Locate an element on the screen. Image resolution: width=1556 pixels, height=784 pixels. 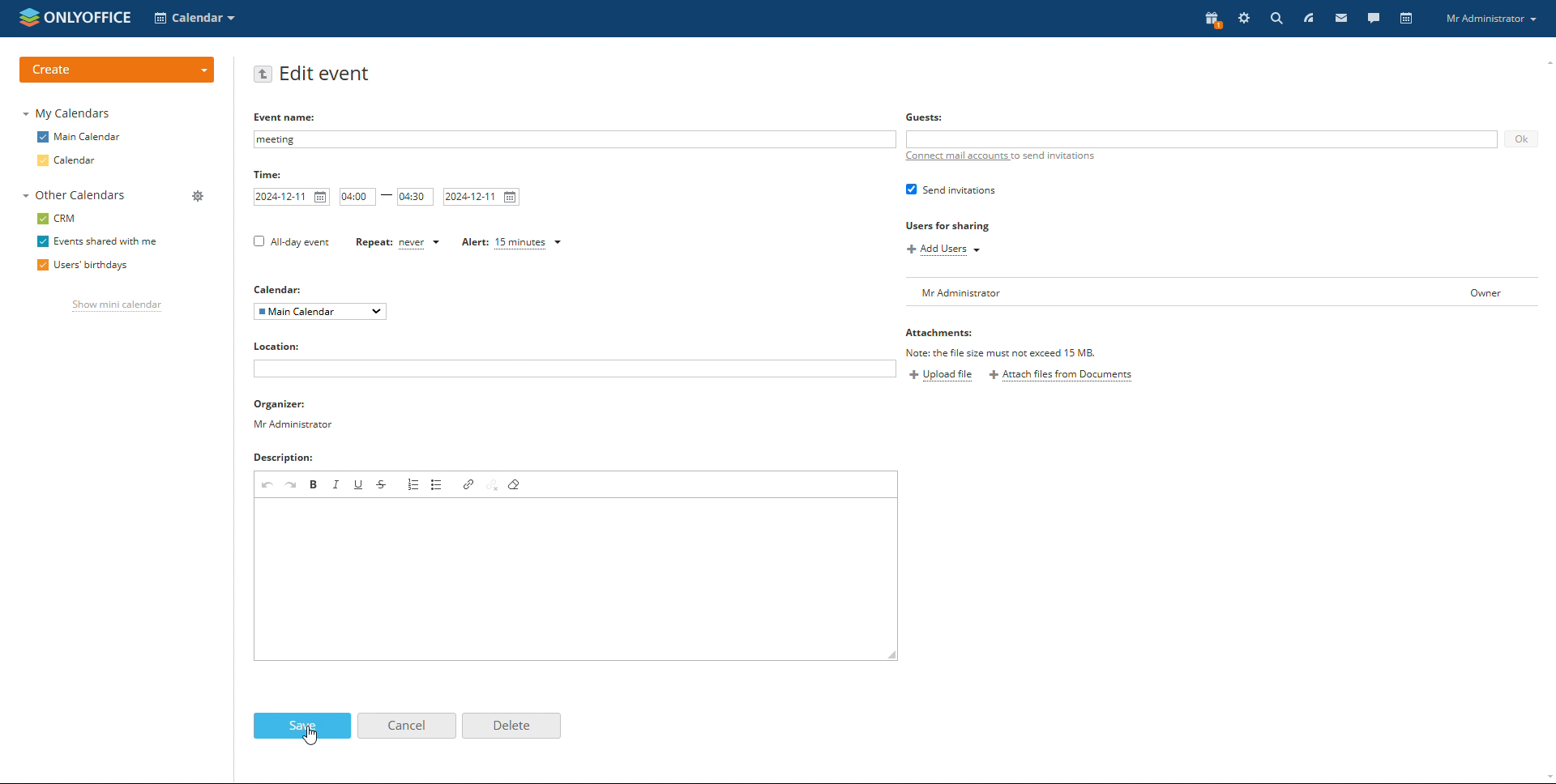
redo is located at coordinates (293, 484).